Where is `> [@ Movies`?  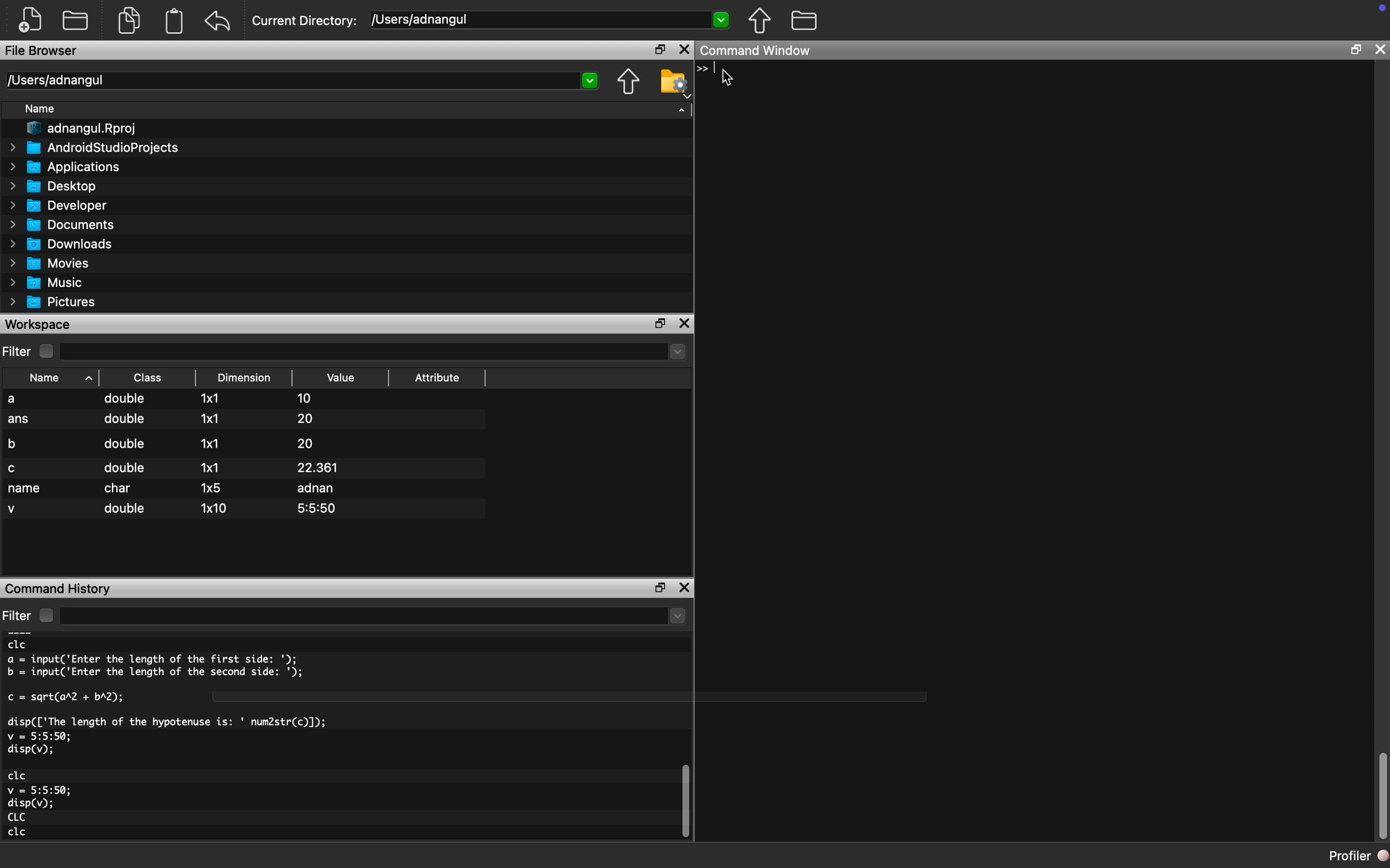
> [@ Movies is located at coordinates (50, 264).